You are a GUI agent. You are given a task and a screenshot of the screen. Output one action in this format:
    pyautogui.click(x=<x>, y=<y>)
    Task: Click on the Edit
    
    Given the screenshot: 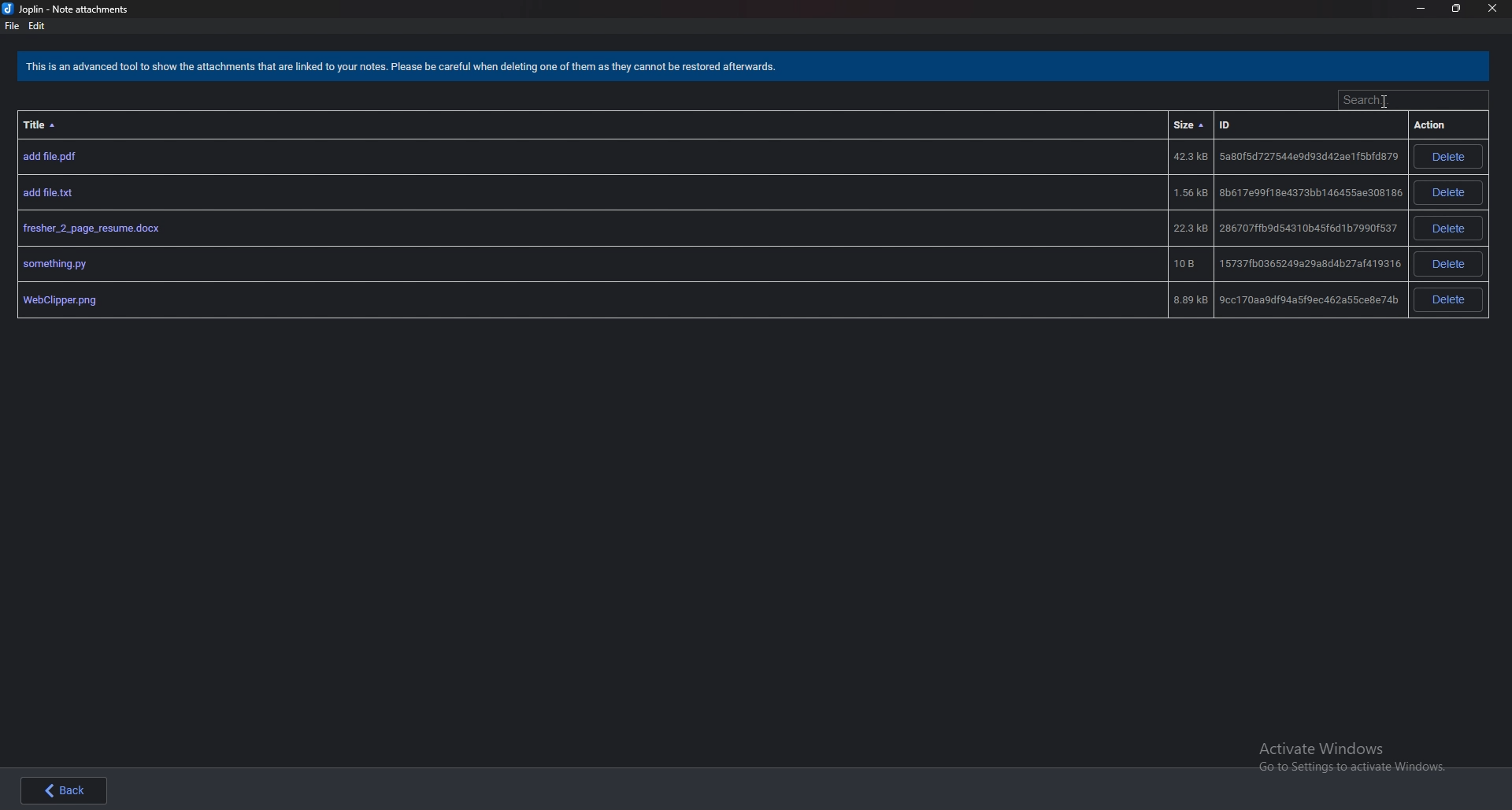 What is the action you would take?
    pyautogui.click(x=37, y=26)
    